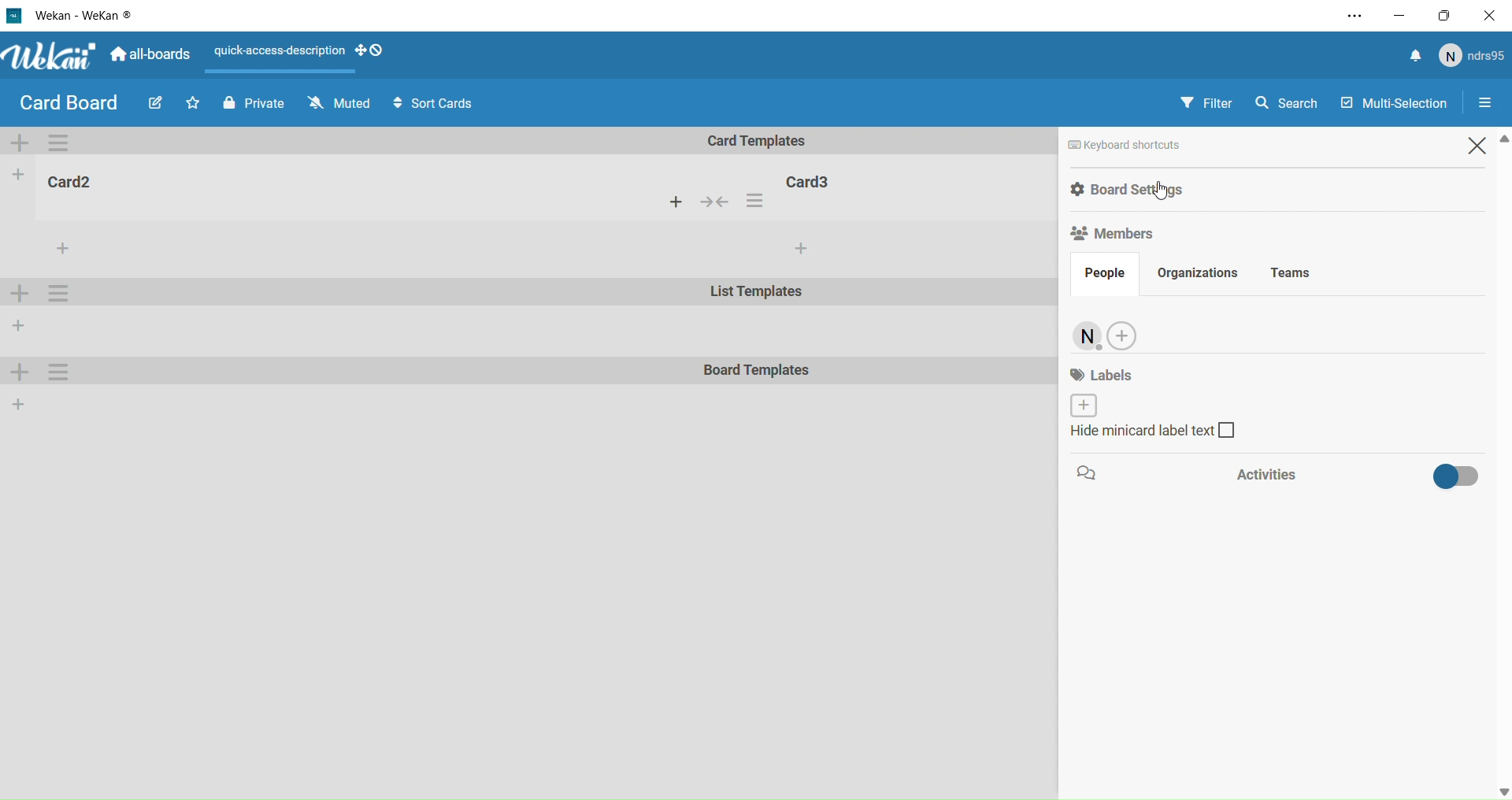 This screenshot has height=800, width=1512. What do you see at coordinates (57, 294) in the screenshot?
I see `` at bounding box center [57, 294].